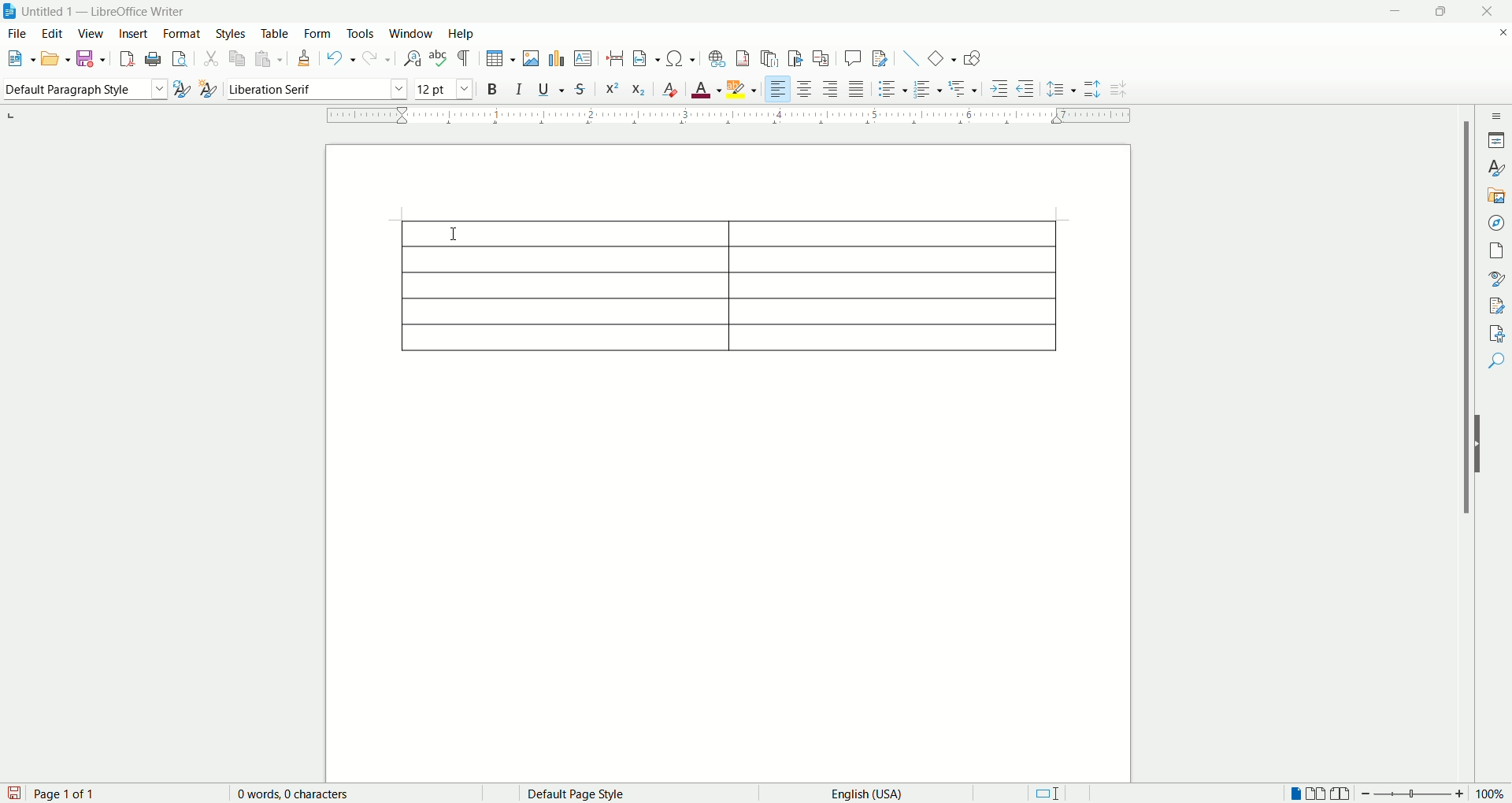 The height and width of the screenshot is (803, 1512). Describe the element at coordinates (1496, 139) in the screenshot. I see `properties` at that location.